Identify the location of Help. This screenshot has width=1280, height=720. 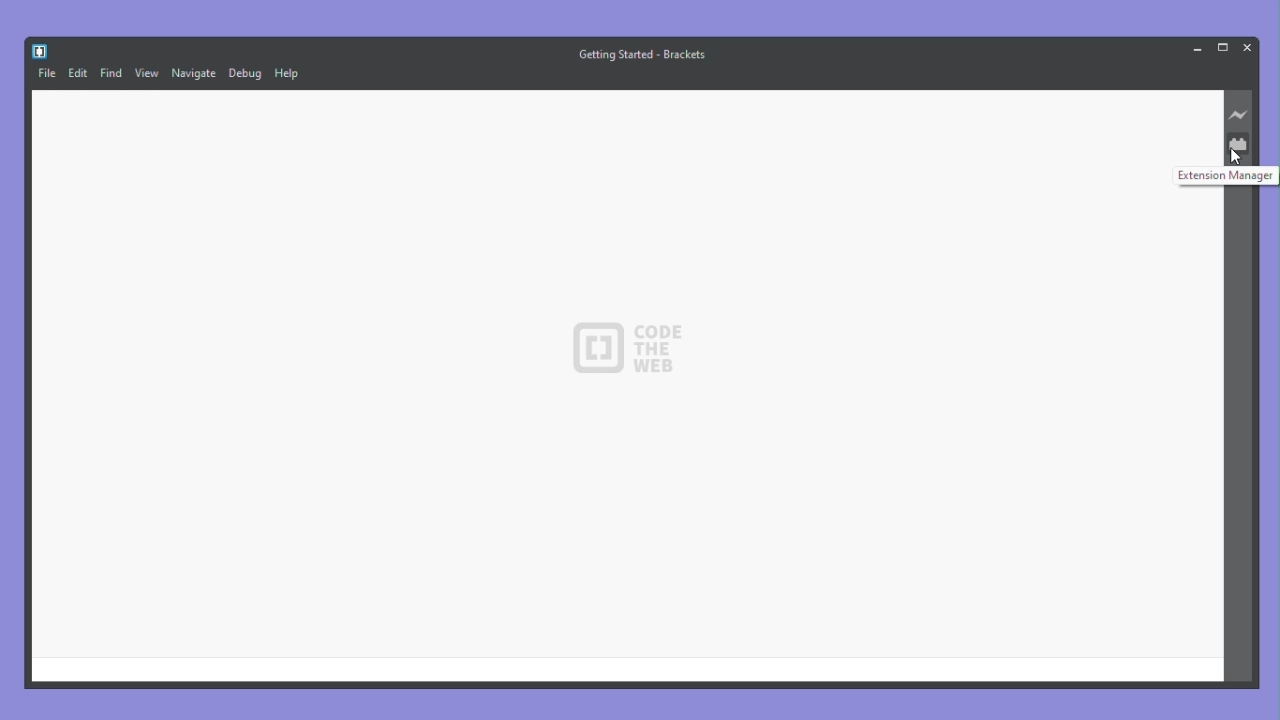
(287, 72).